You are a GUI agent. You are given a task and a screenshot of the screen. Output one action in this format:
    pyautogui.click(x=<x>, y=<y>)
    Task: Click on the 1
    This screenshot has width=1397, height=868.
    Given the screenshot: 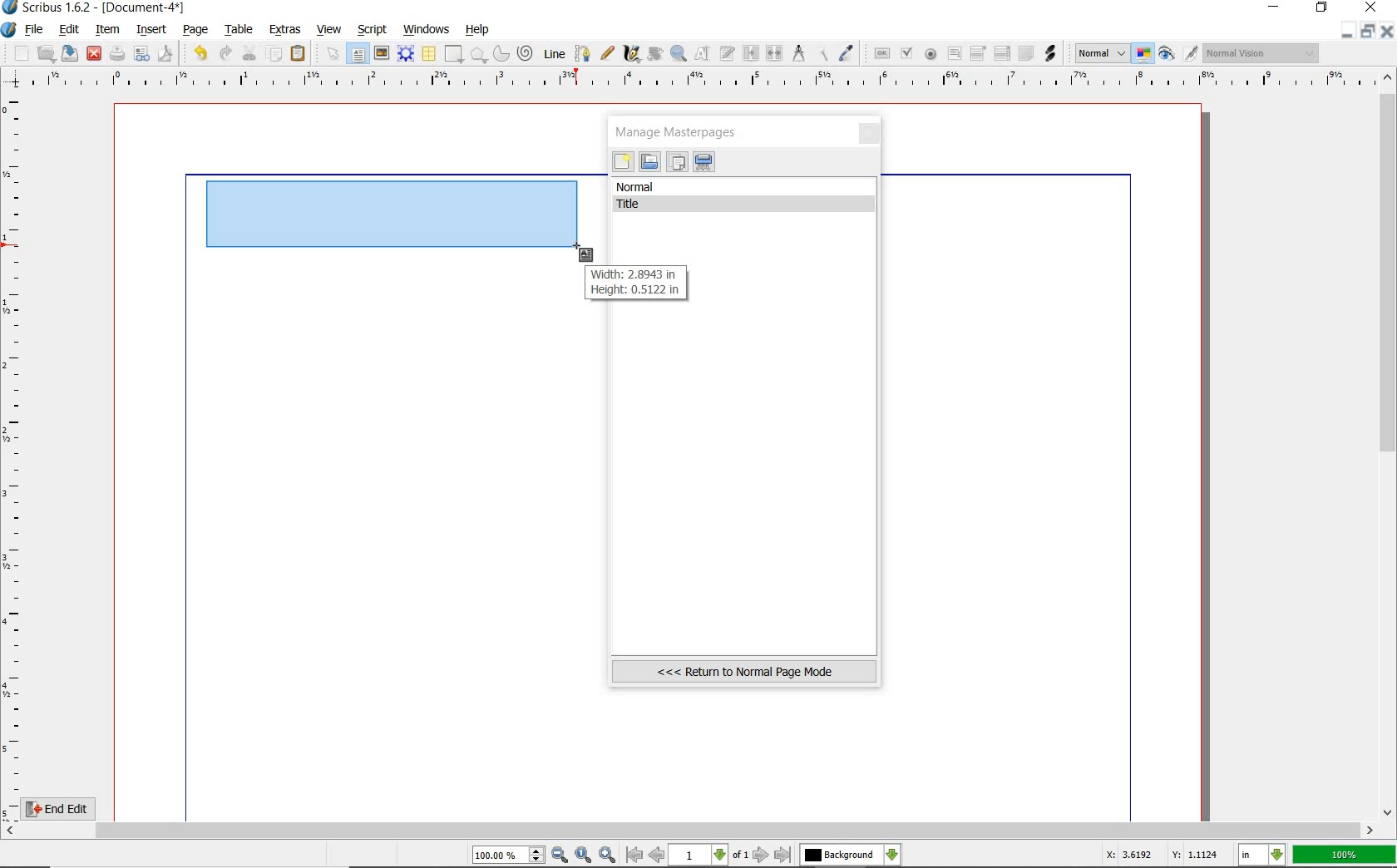 What is the action you would take?
    pyautogui.click(x=699, y=856)
    